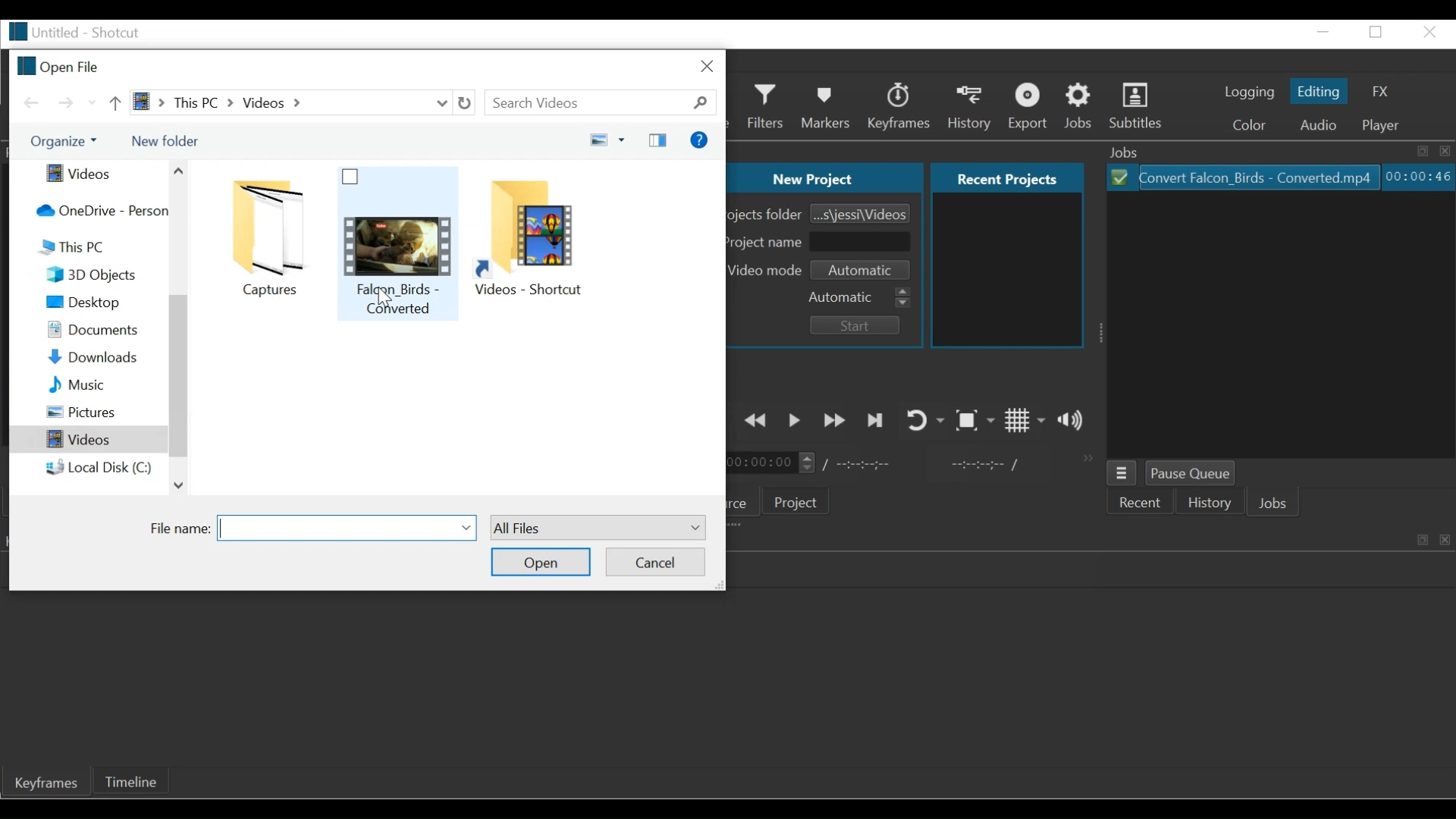  What do you see at coordinates (1321, 125) in the screenshot?
I see `Audio` at bounding box center [1321, 125].